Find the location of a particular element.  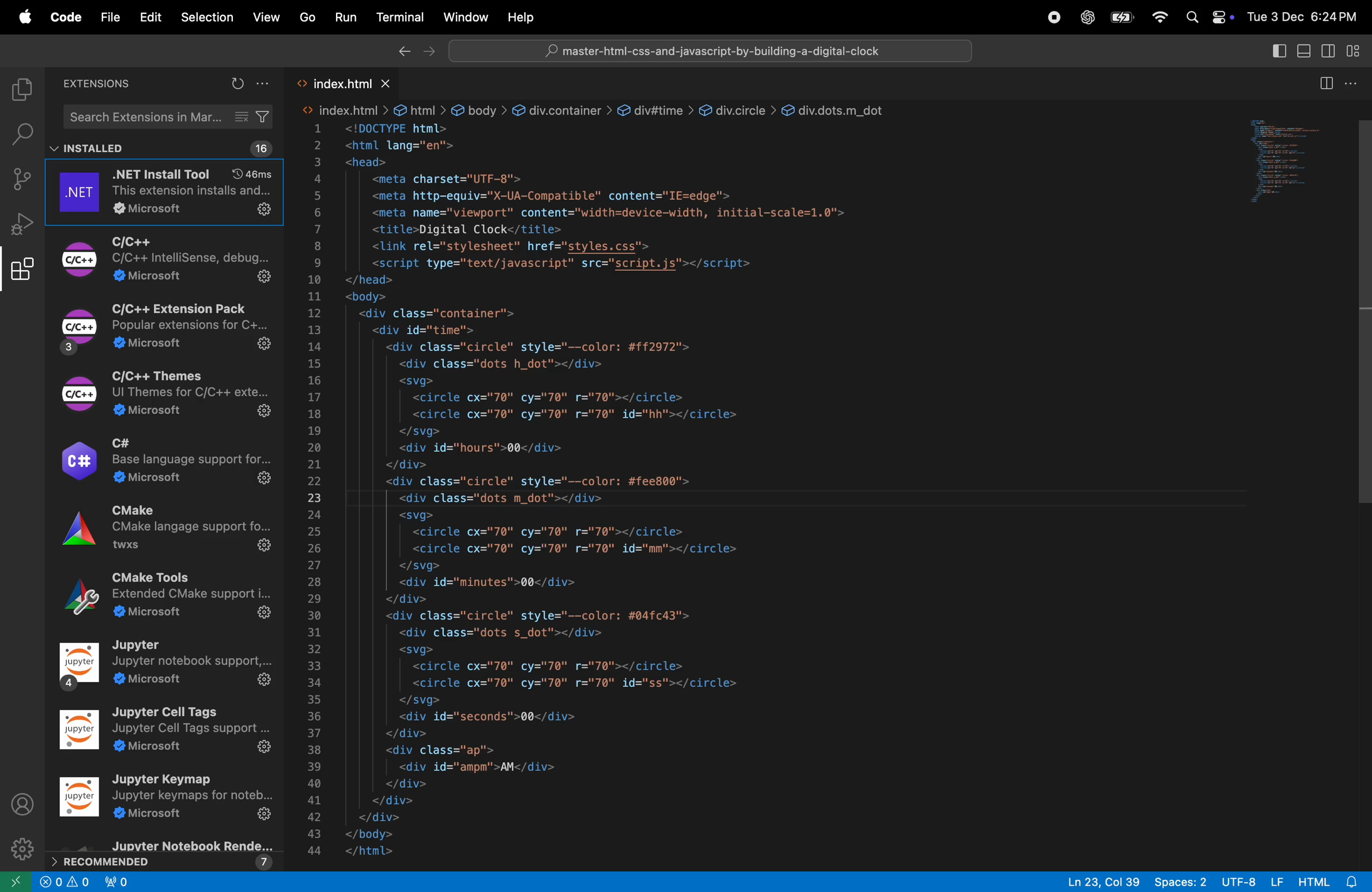

extensions is located at coordinates (22, 270).